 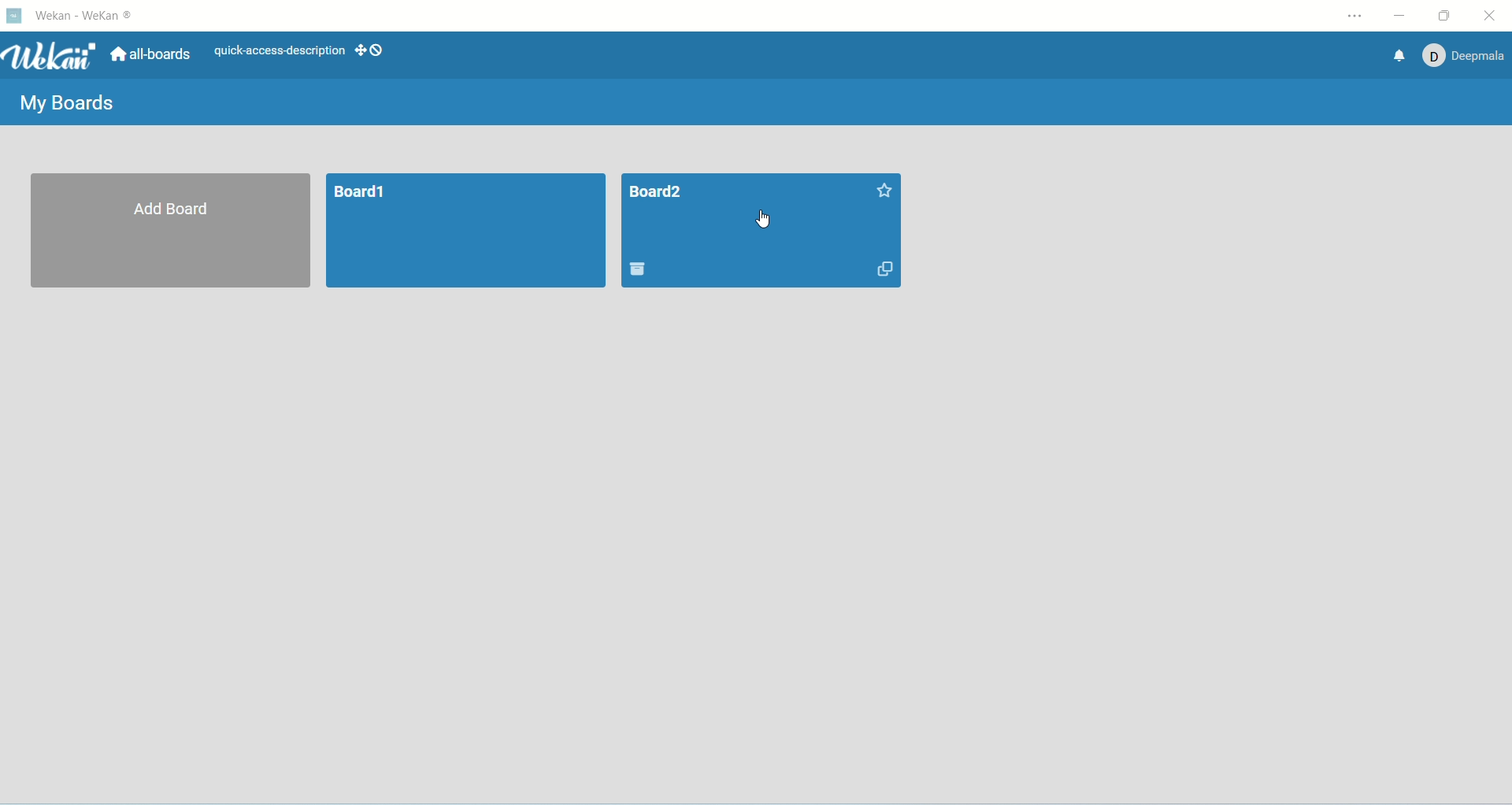 What do you see at coordinates (273, 50) in the screenshot?
I see `text` at bounding box center [273, 50].